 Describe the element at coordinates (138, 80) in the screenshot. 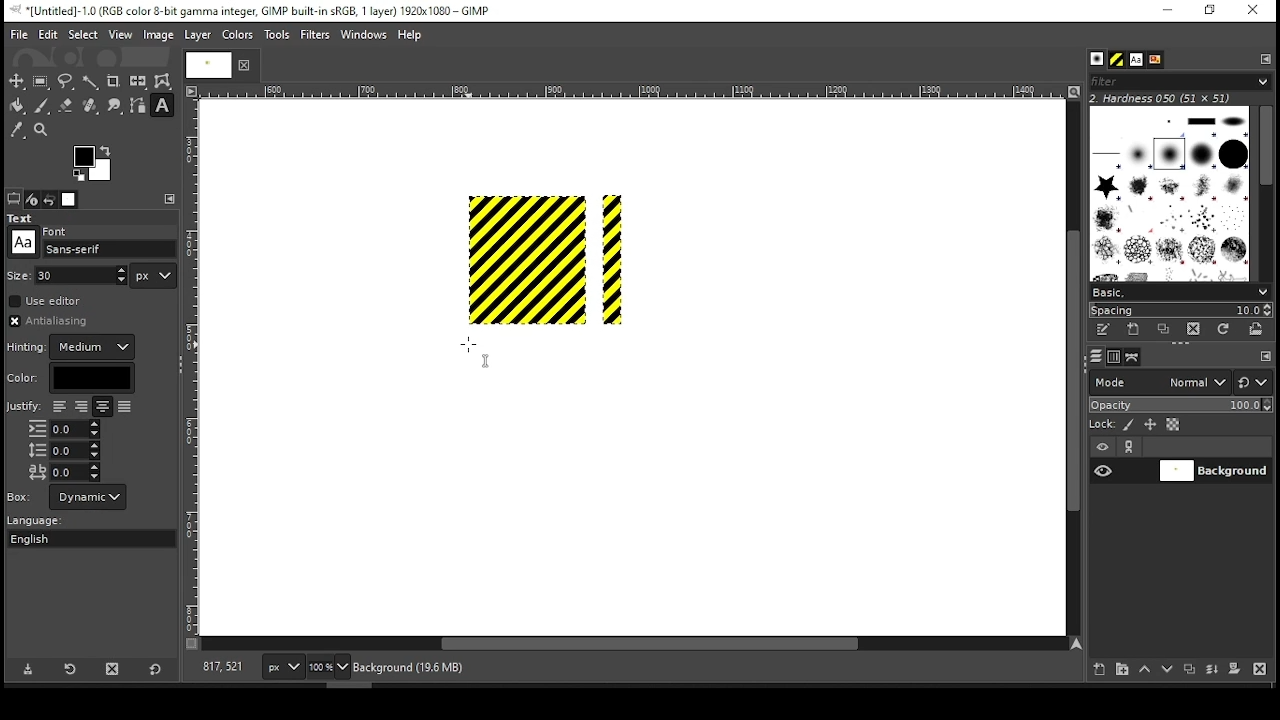

I see `flip tool` at that location.